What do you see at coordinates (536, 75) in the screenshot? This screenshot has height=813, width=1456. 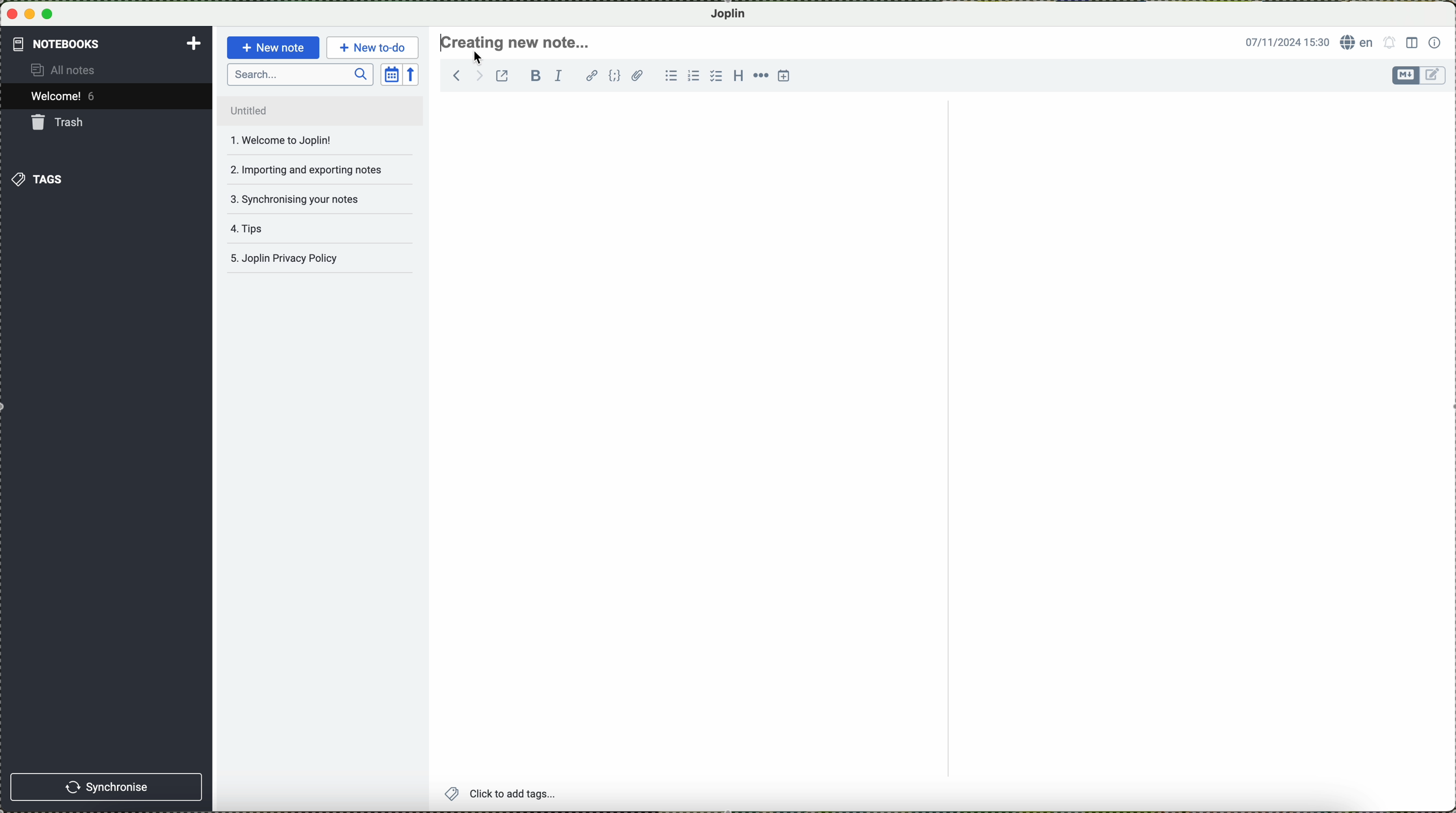 I see `bold` at bounding box center [536, 75].